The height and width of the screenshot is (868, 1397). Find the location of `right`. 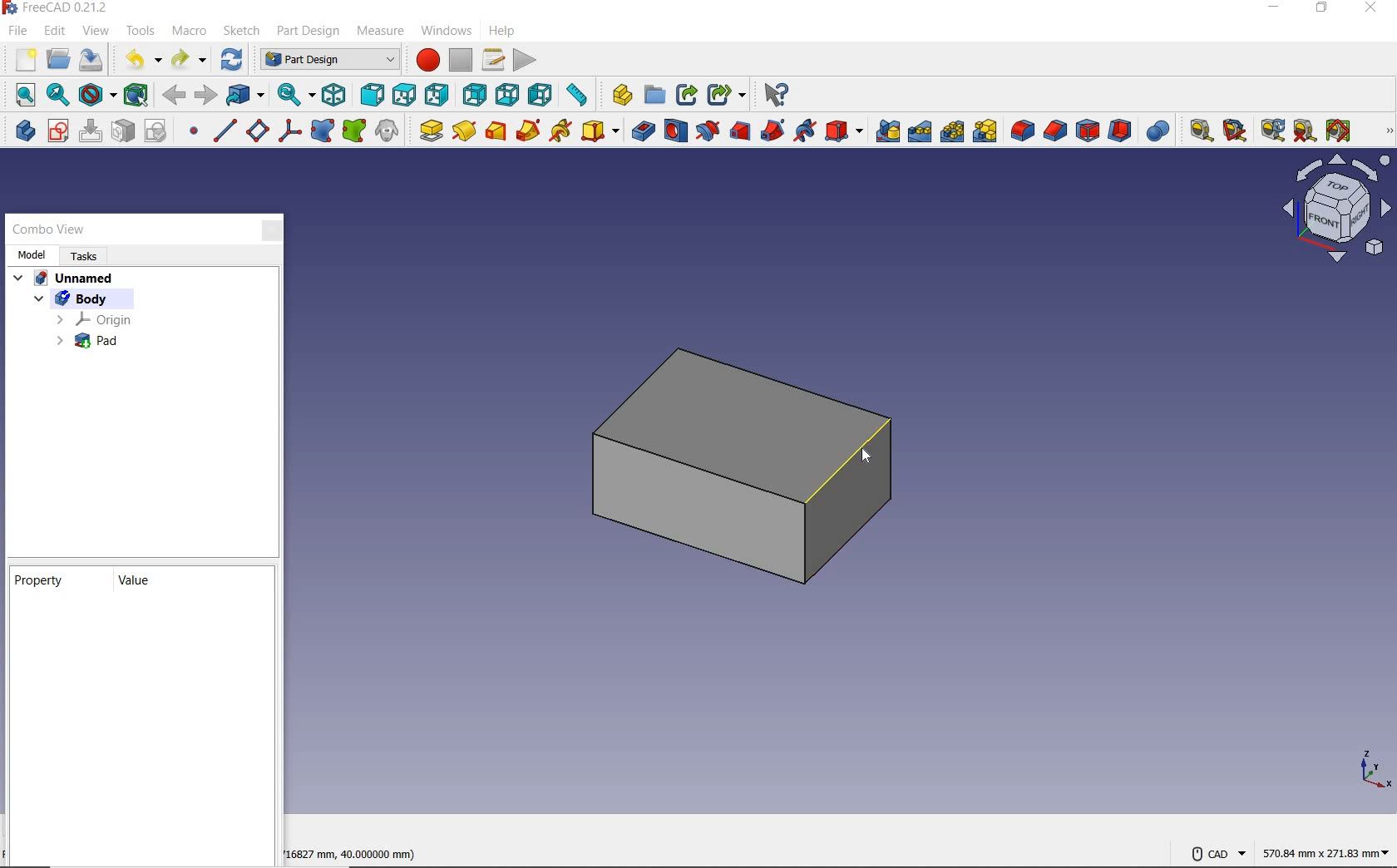

right is located at coordinates (437, 96).